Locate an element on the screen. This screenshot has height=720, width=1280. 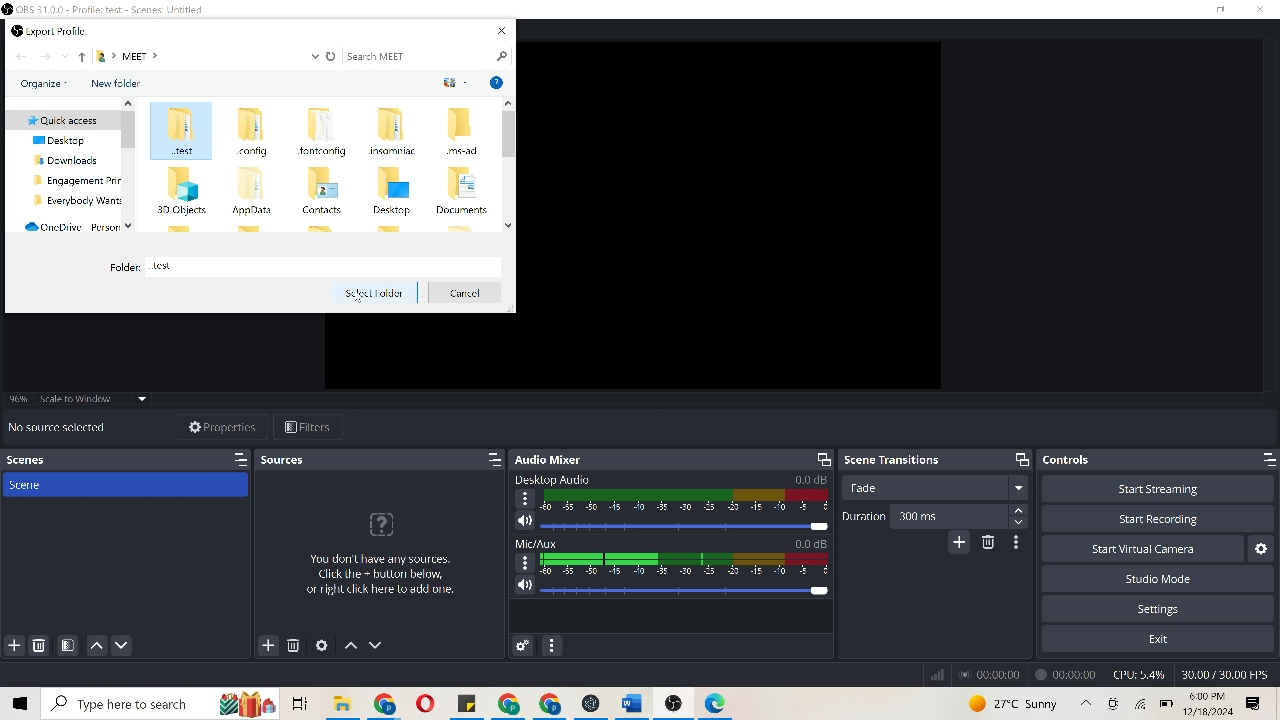
up is located at coordinates (1084, 703).